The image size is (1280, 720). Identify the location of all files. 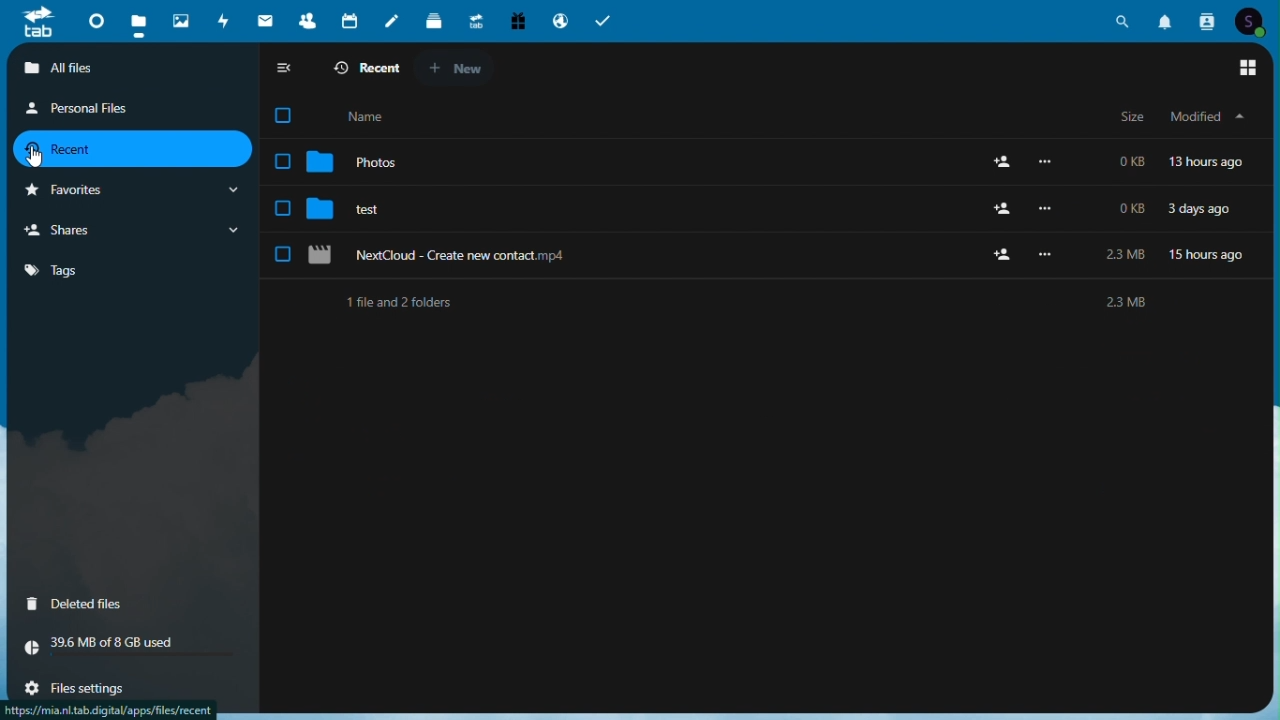
(134, 66).